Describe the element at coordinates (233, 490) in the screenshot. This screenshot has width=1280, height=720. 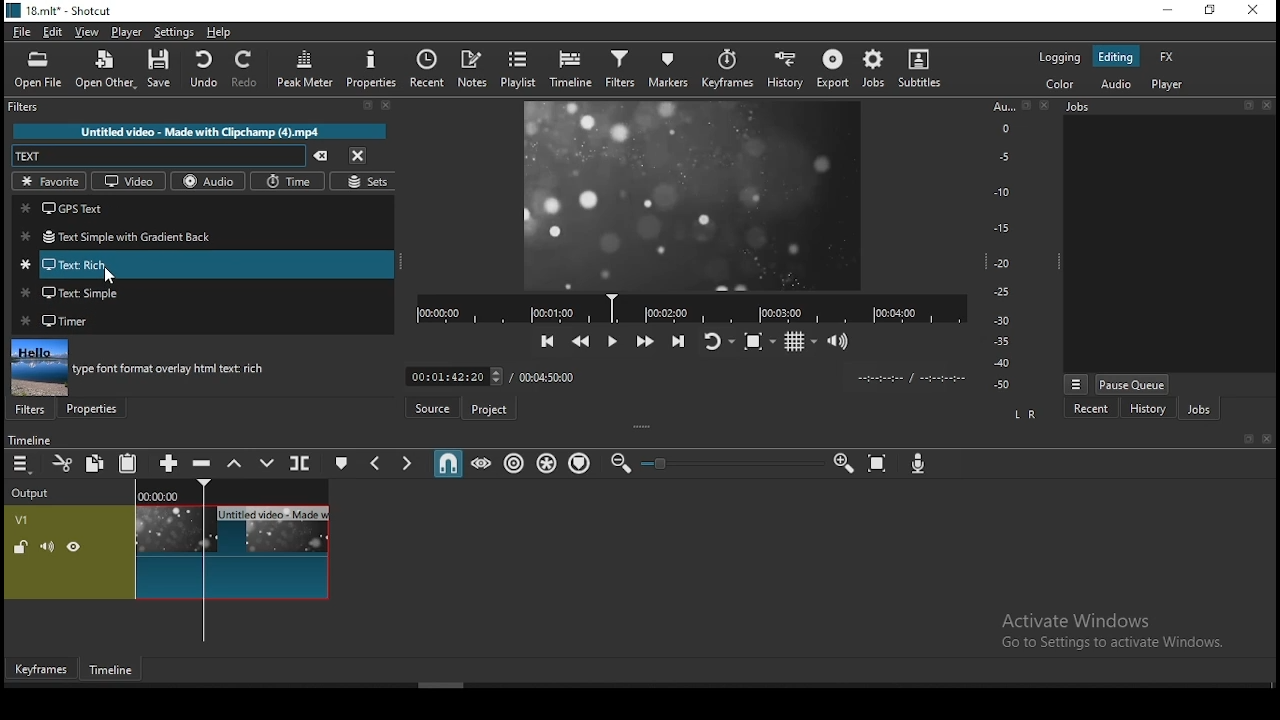
I see `Timeline` at that location.